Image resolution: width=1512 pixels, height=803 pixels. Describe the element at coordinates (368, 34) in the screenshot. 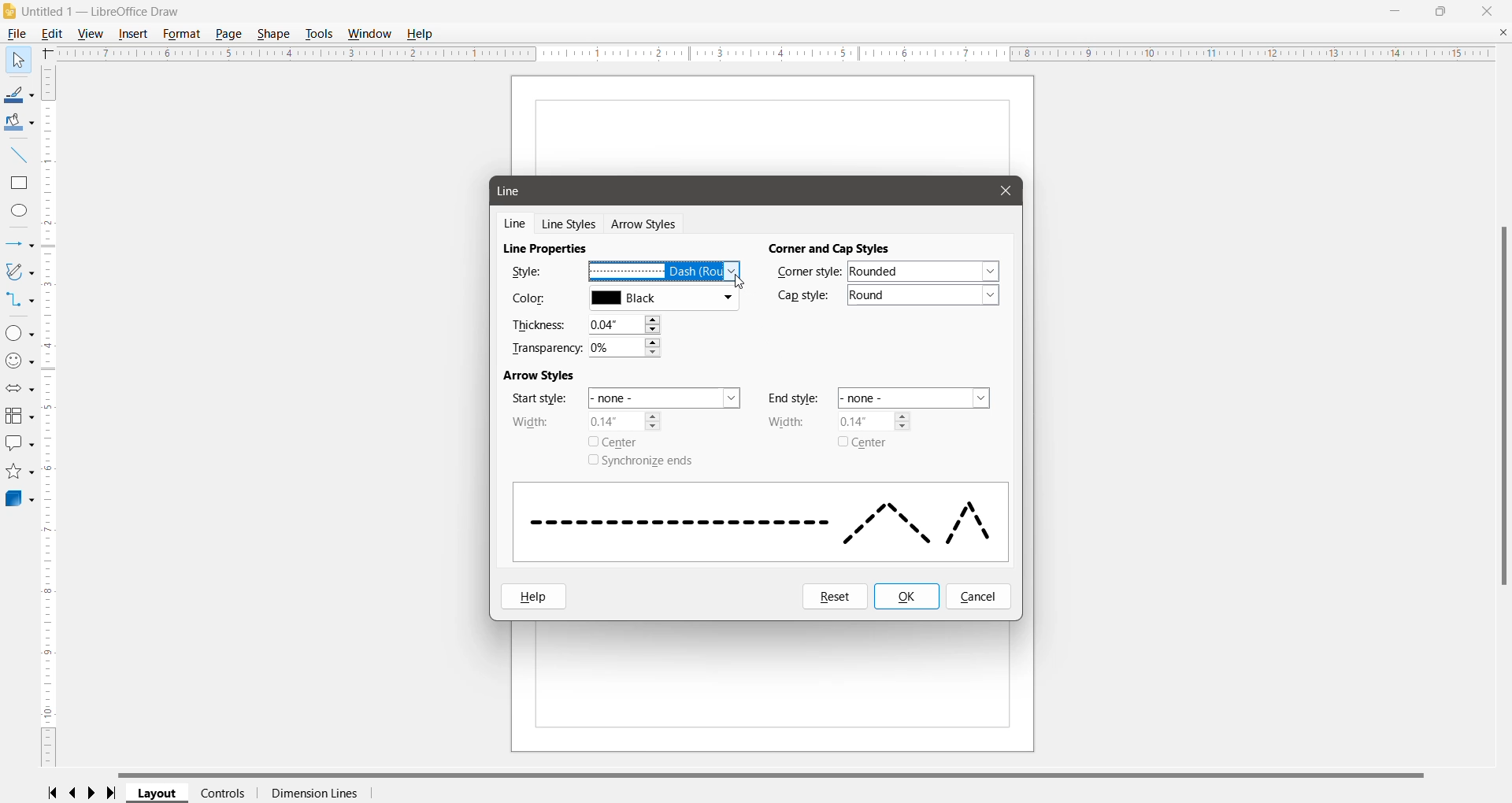

I see `Window` at that location.